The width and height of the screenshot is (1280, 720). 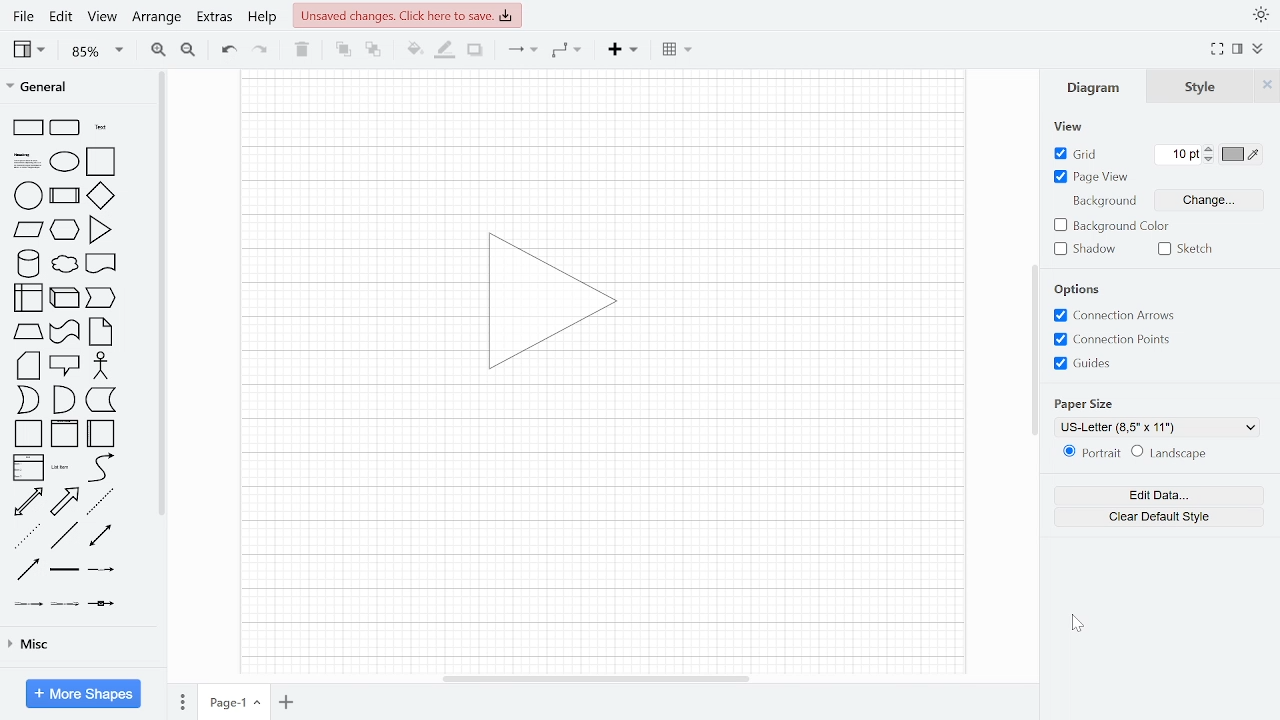 I want to click on Increase grid pt, so click(x=1209, y=148).